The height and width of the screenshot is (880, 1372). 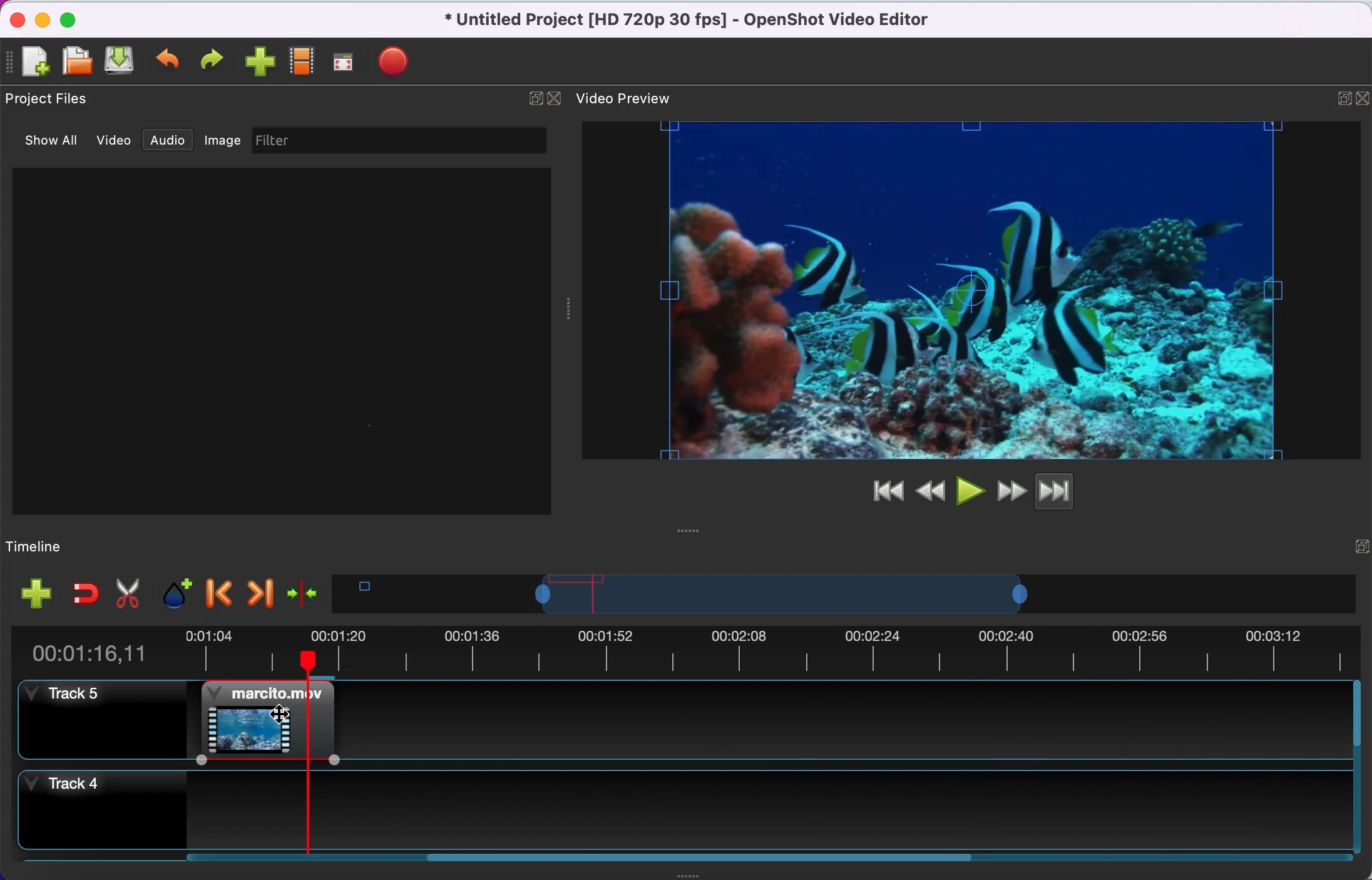 What do you see at coordinates (1009, 489) in the screenshot?
I see `fast forward` at bounding box center [1009, 489].